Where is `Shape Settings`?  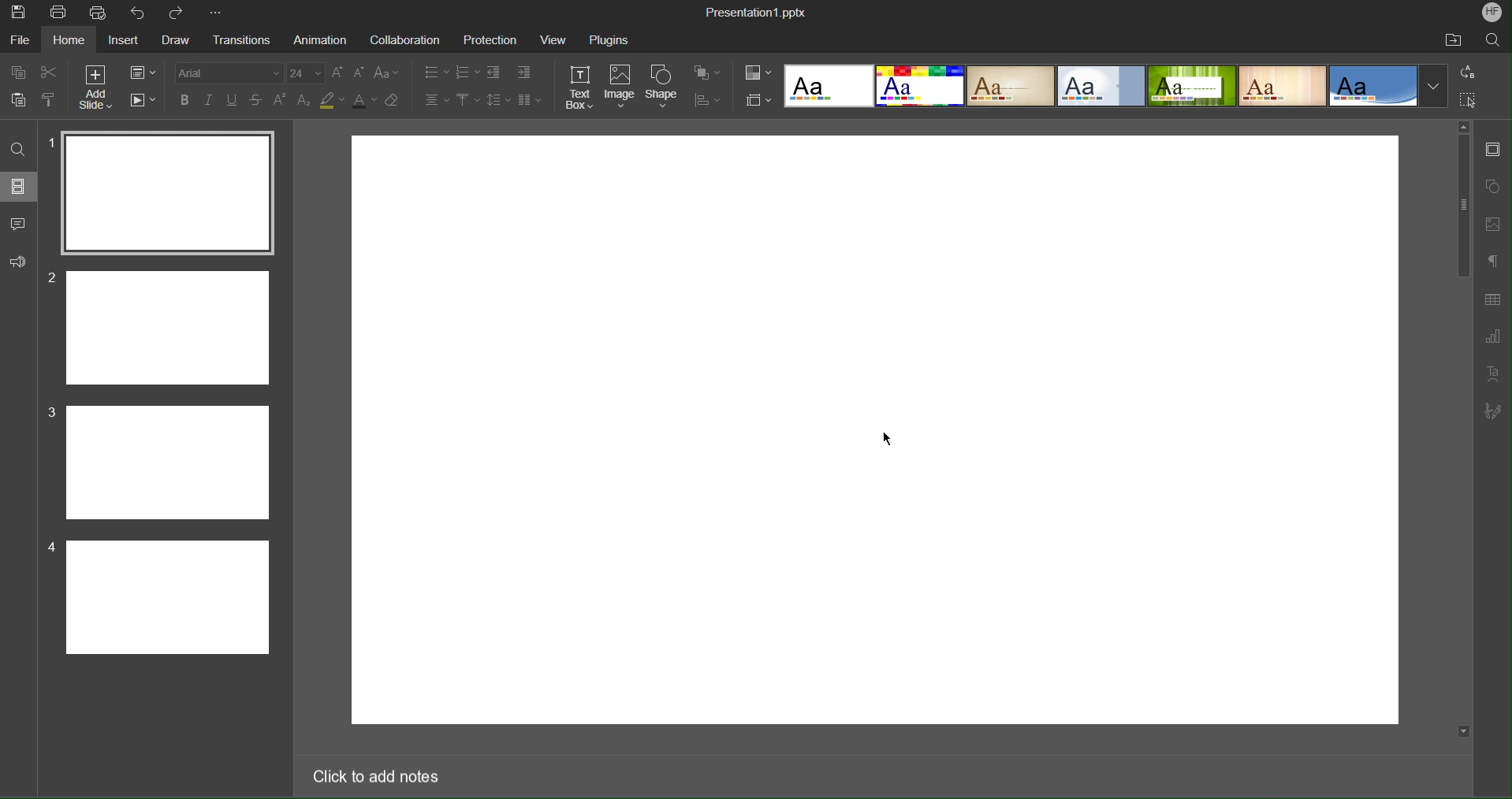 Shape Settings is located at coordinates (1493, 186).